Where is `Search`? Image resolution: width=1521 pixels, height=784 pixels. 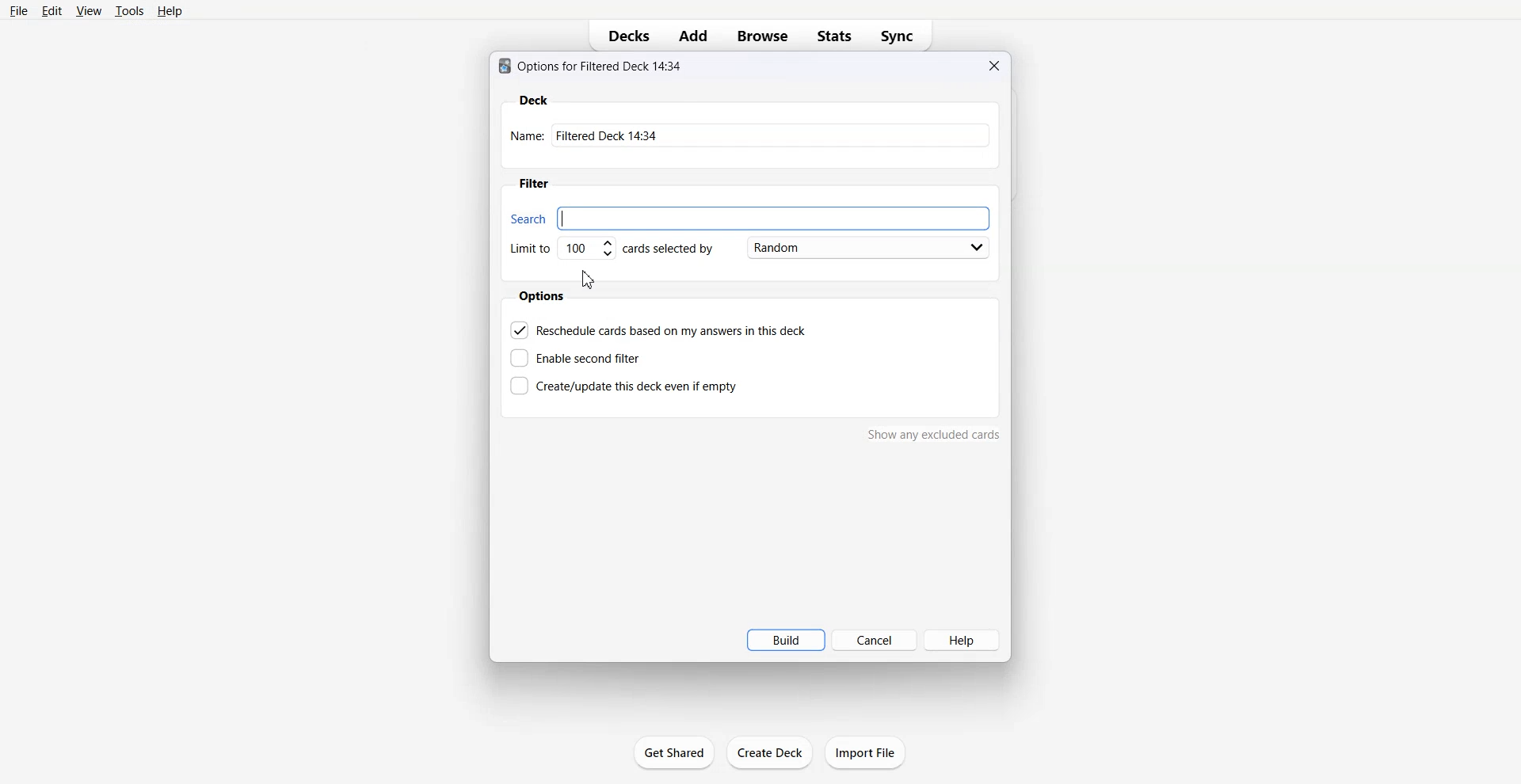
Search is located at coordinates (751, 218).